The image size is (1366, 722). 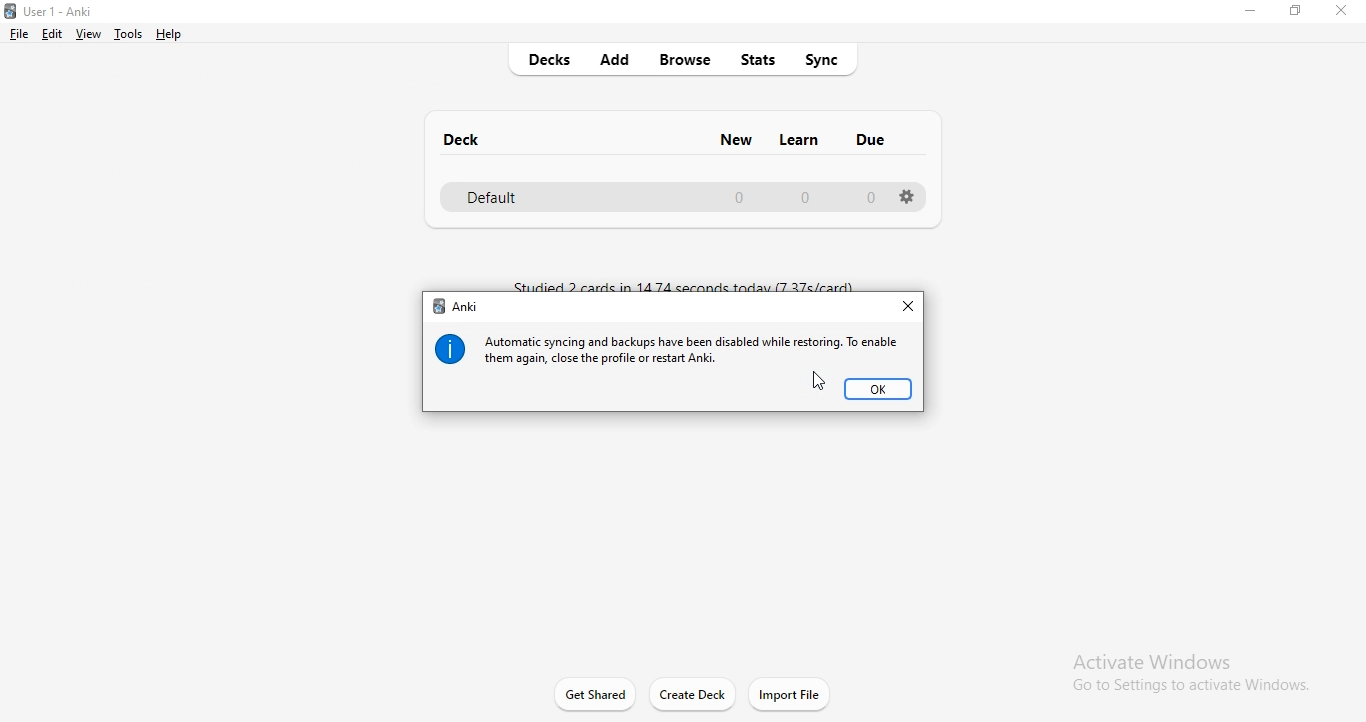 I want to click on info icon, so click(x=452, y=349).